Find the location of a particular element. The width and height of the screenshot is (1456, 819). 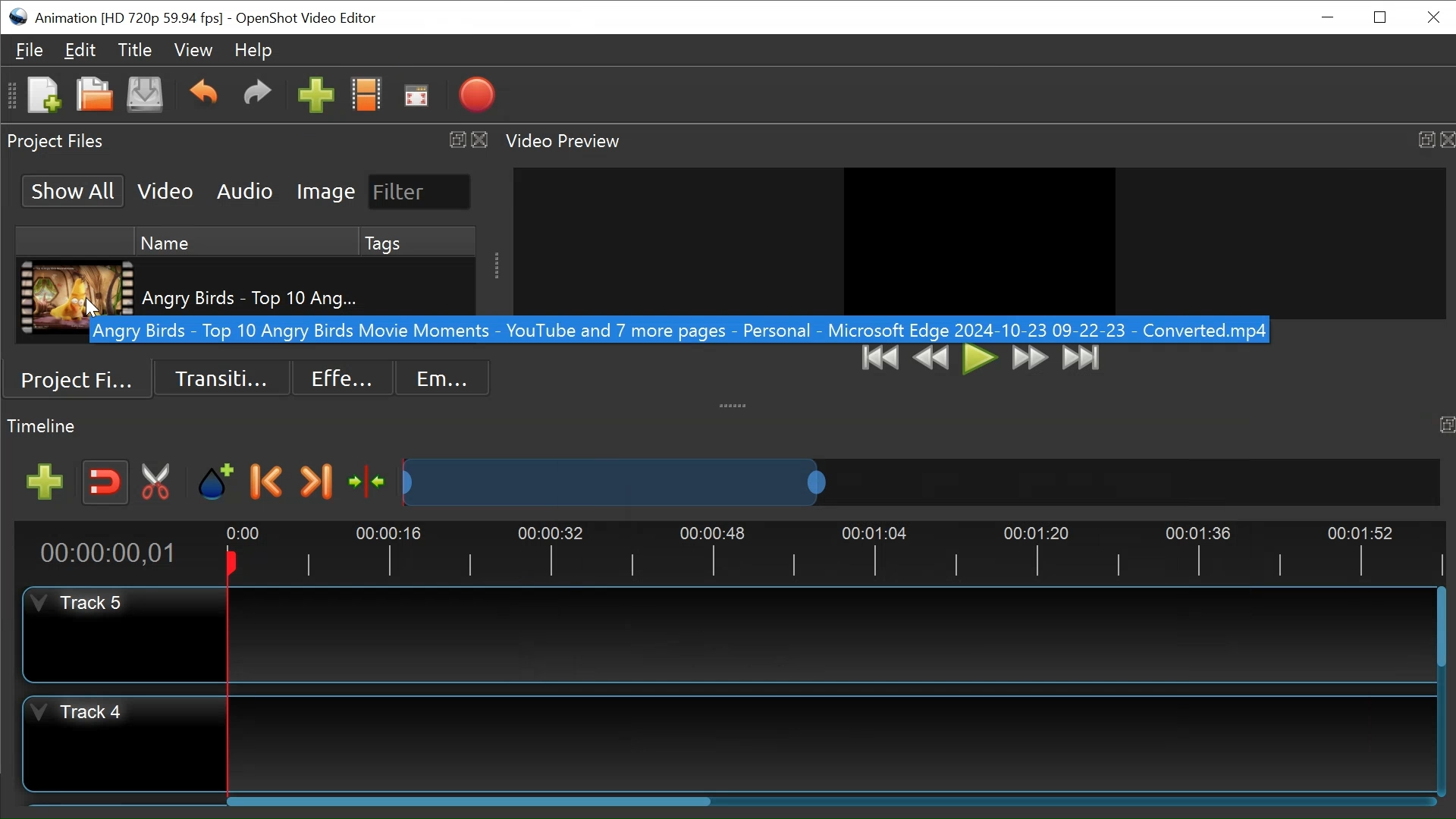

Show All is located at coordinates (74, 190).